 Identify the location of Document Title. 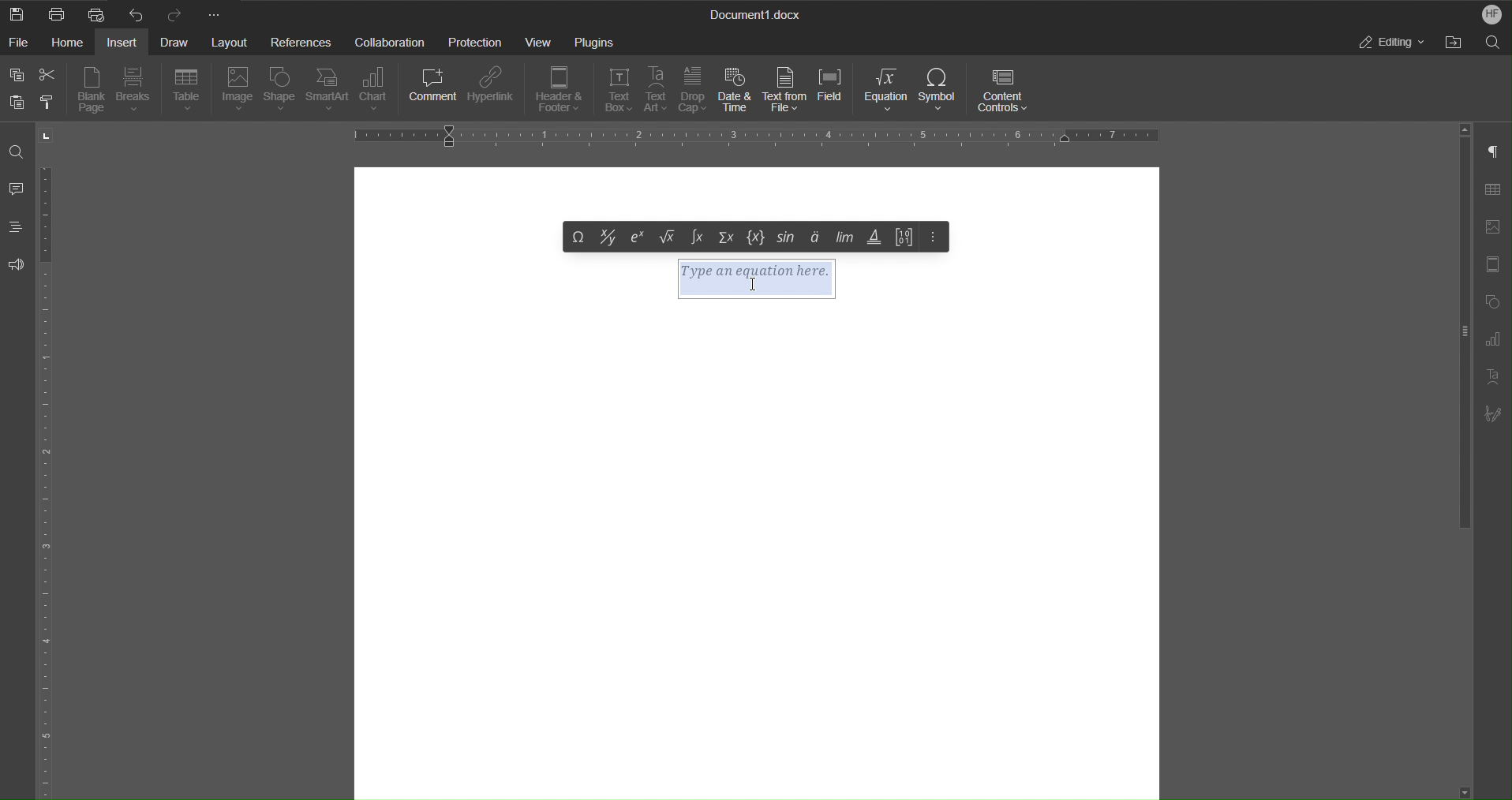
(755, 13).